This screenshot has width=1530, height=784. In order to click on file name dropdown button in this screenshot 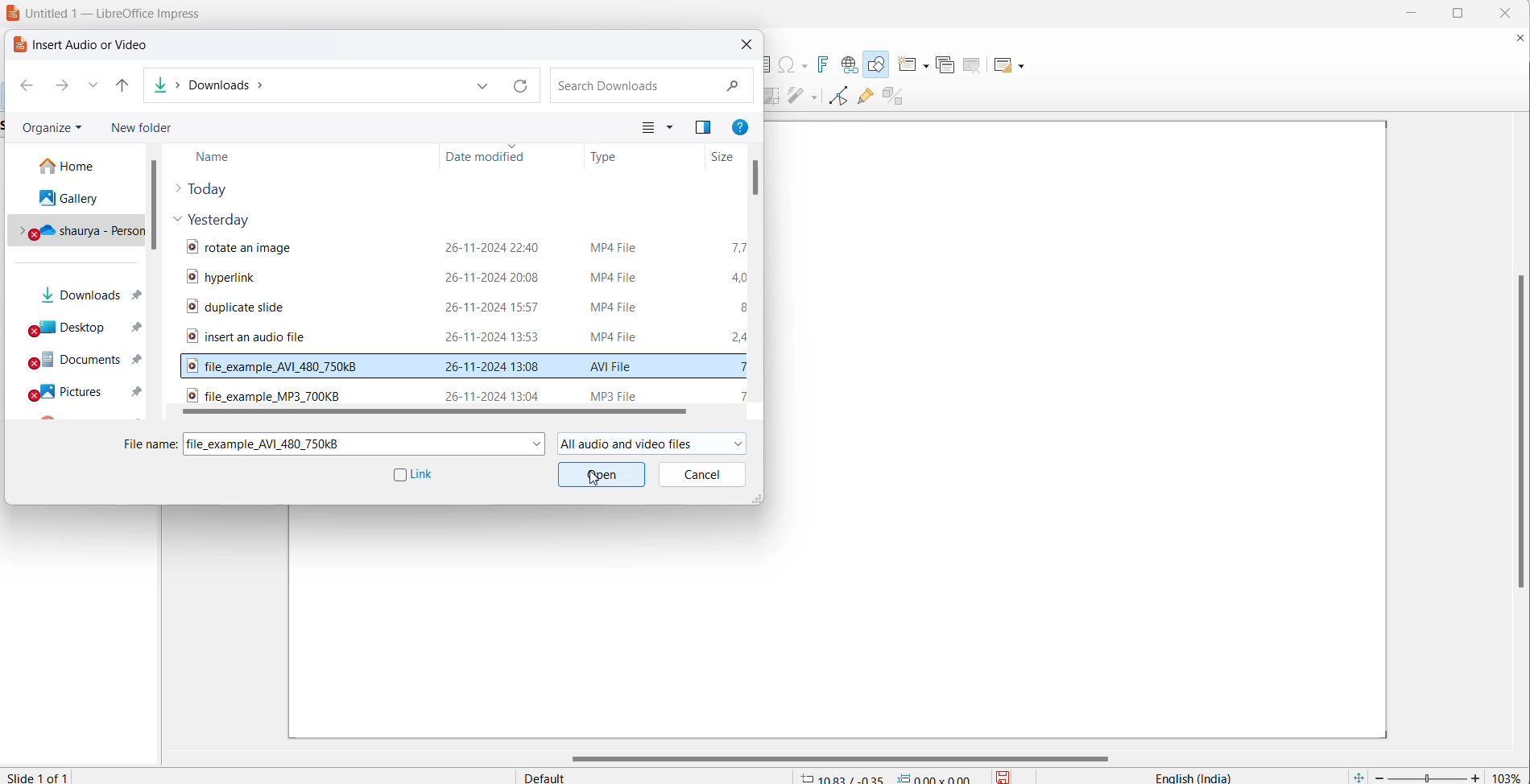, I will do `click(536, 447)`.